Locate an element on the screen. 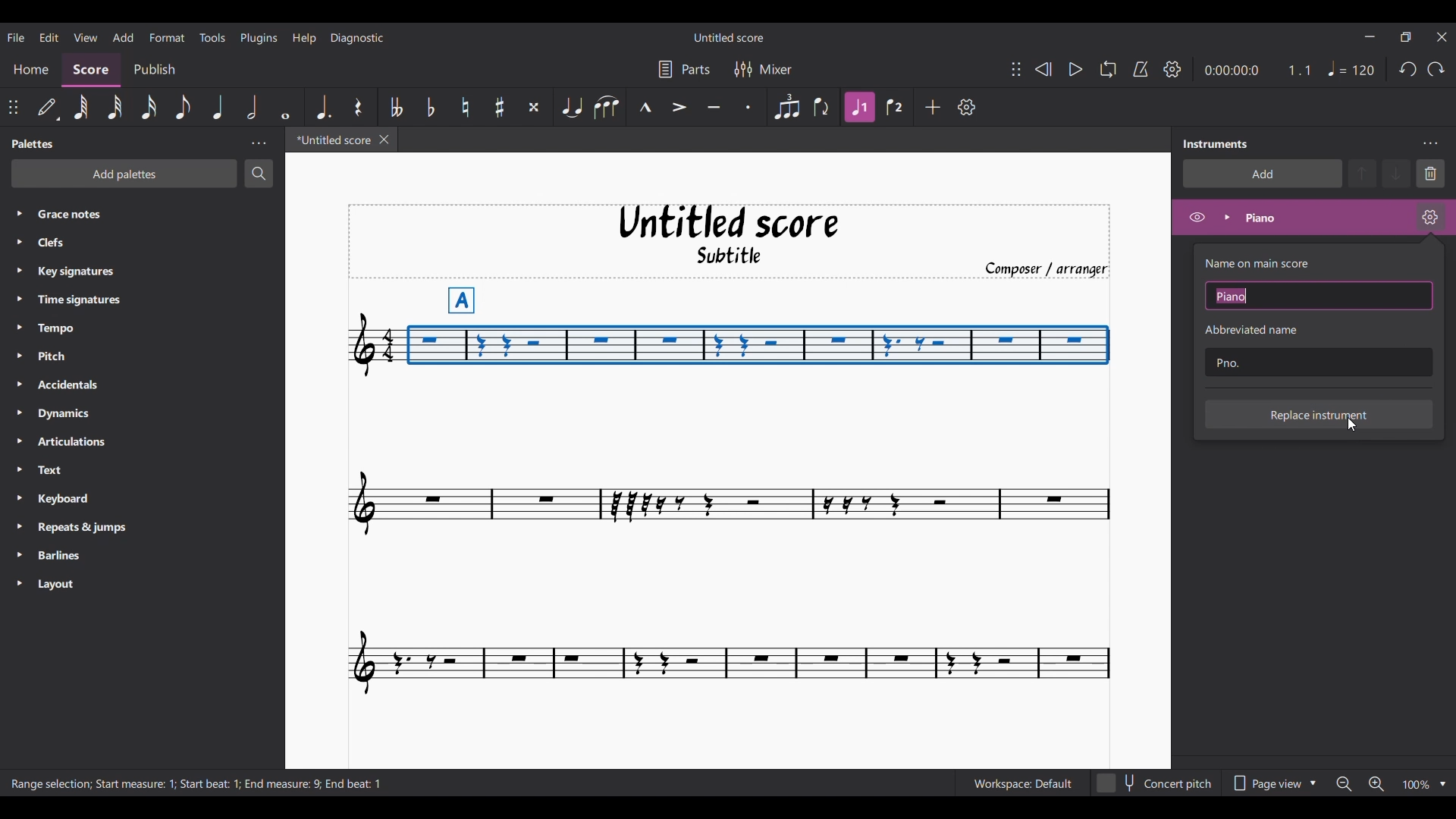 This screenshot has height=819, width=1456. Loop playback is located at coordinates (1108, 69).